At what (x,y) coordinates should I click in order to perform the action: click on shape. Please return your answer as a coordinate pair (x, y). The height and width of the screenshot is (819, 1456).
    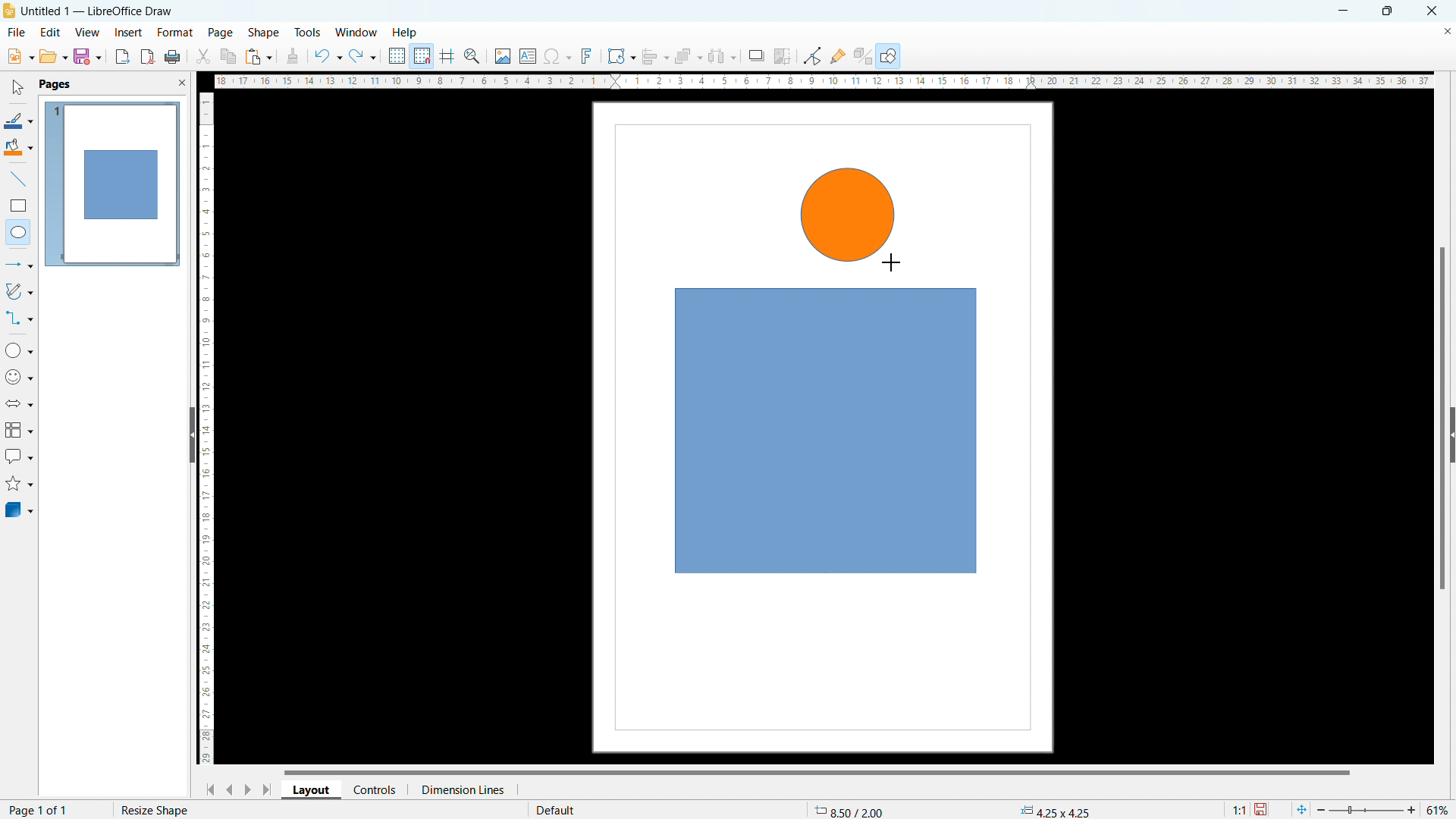
    Looking at the image, I should click on (264, 33).